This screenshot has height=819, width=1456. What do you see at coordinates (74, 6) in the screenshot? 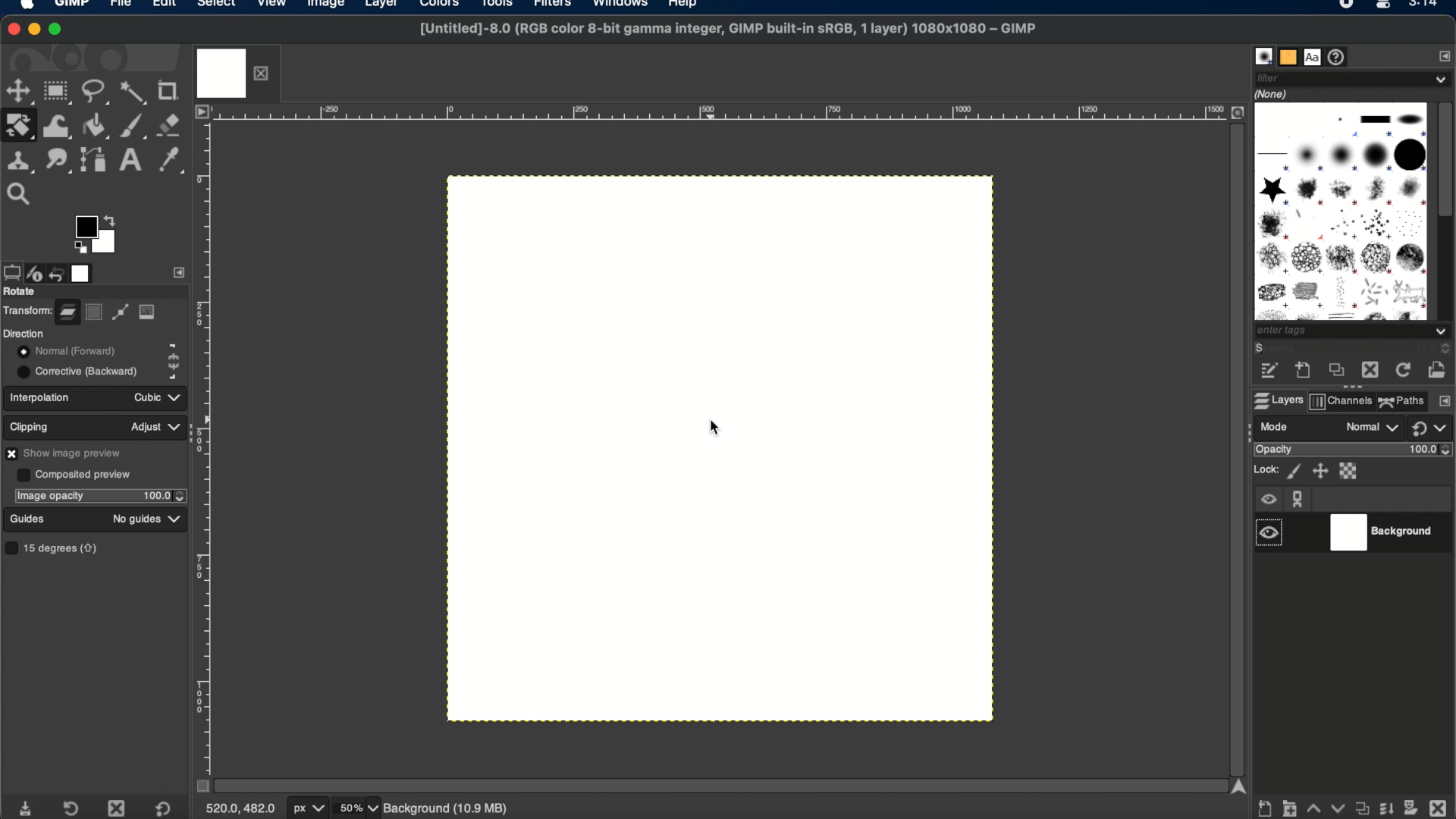
I see `GIMP` at bounding box center [74, 6].